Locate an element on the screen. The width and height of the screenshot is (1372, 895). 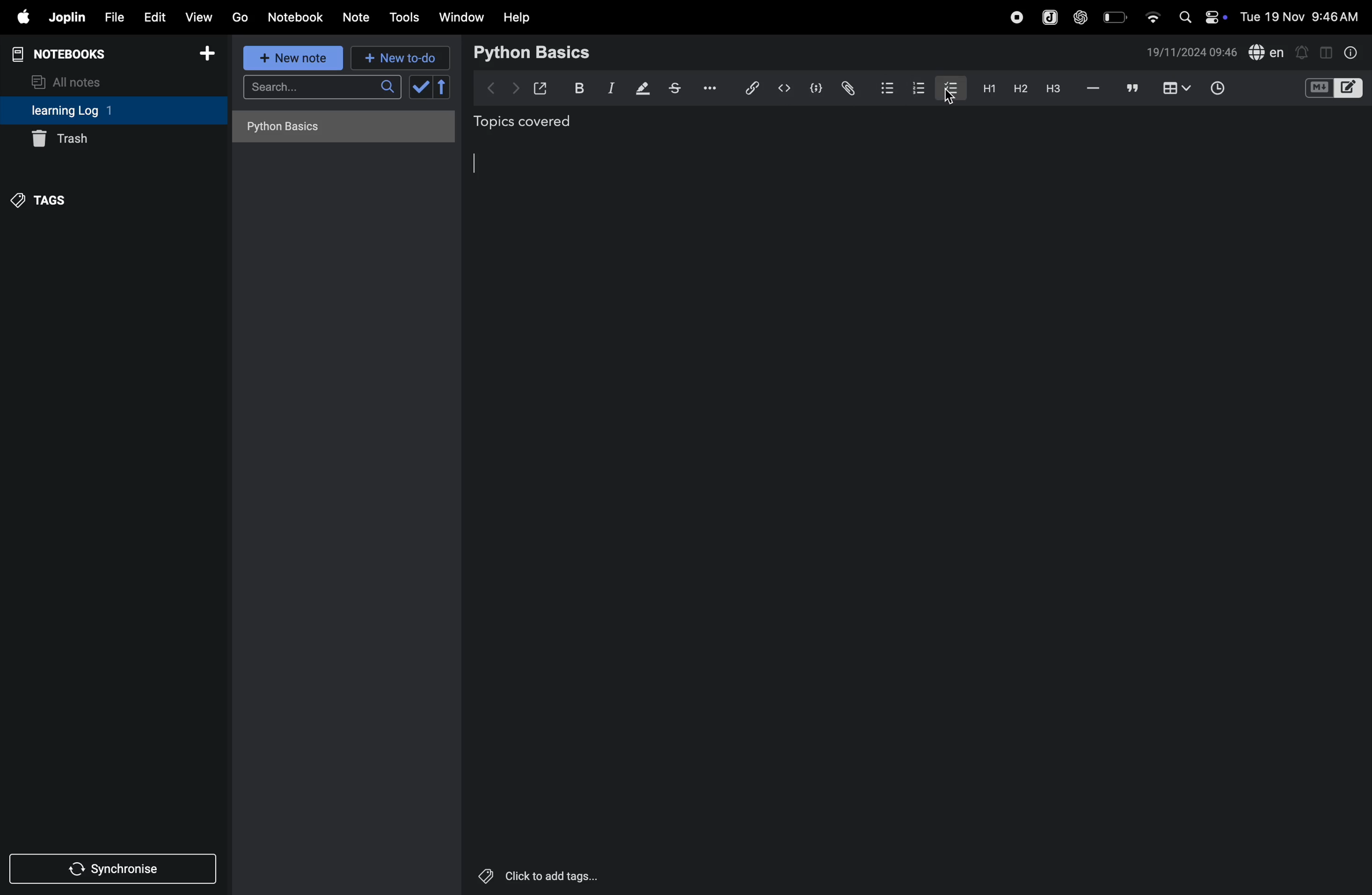
date and time is located at coordinates (1192, 52).